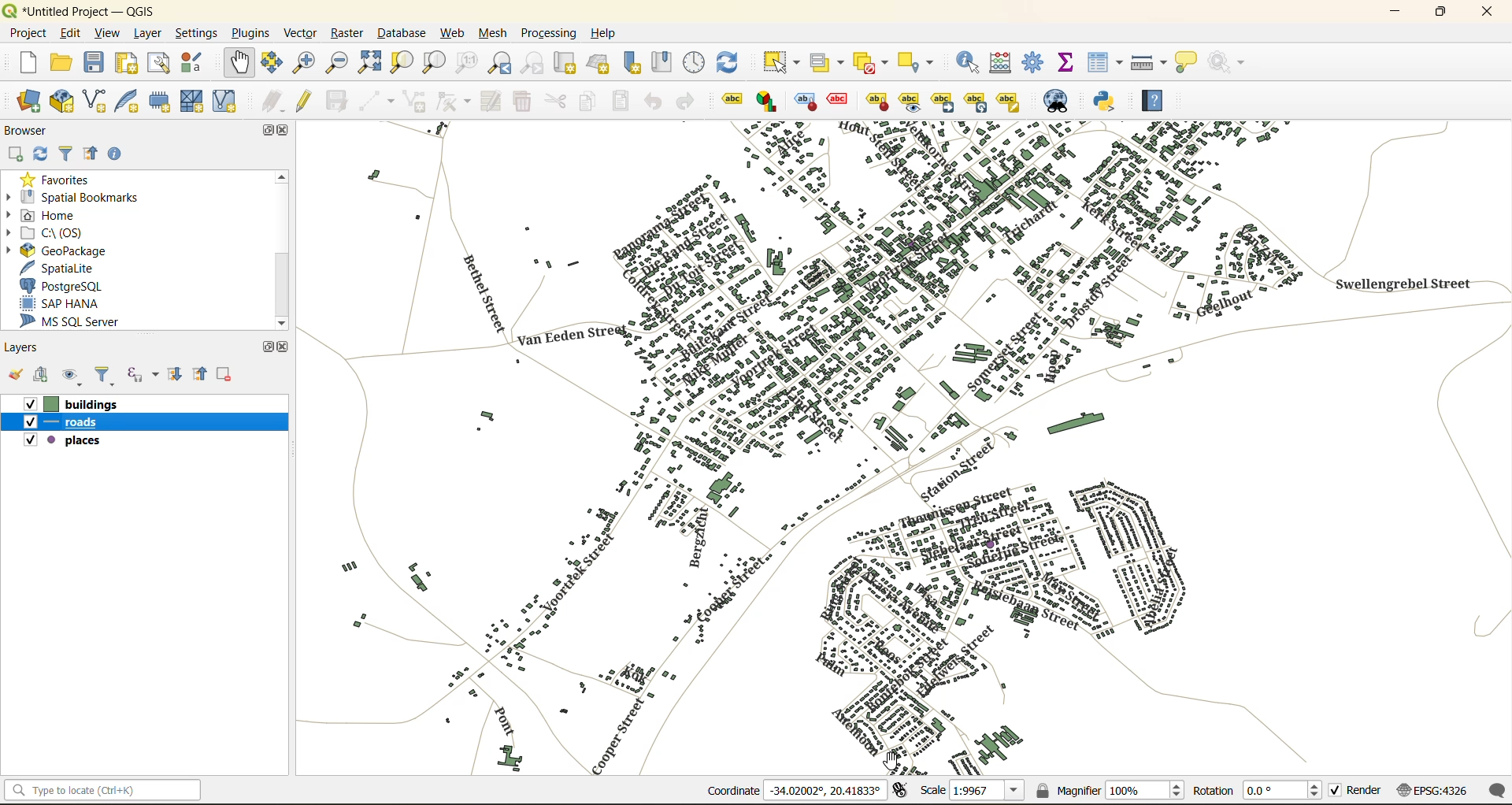  I want to click on refresh, so click(39, 157).